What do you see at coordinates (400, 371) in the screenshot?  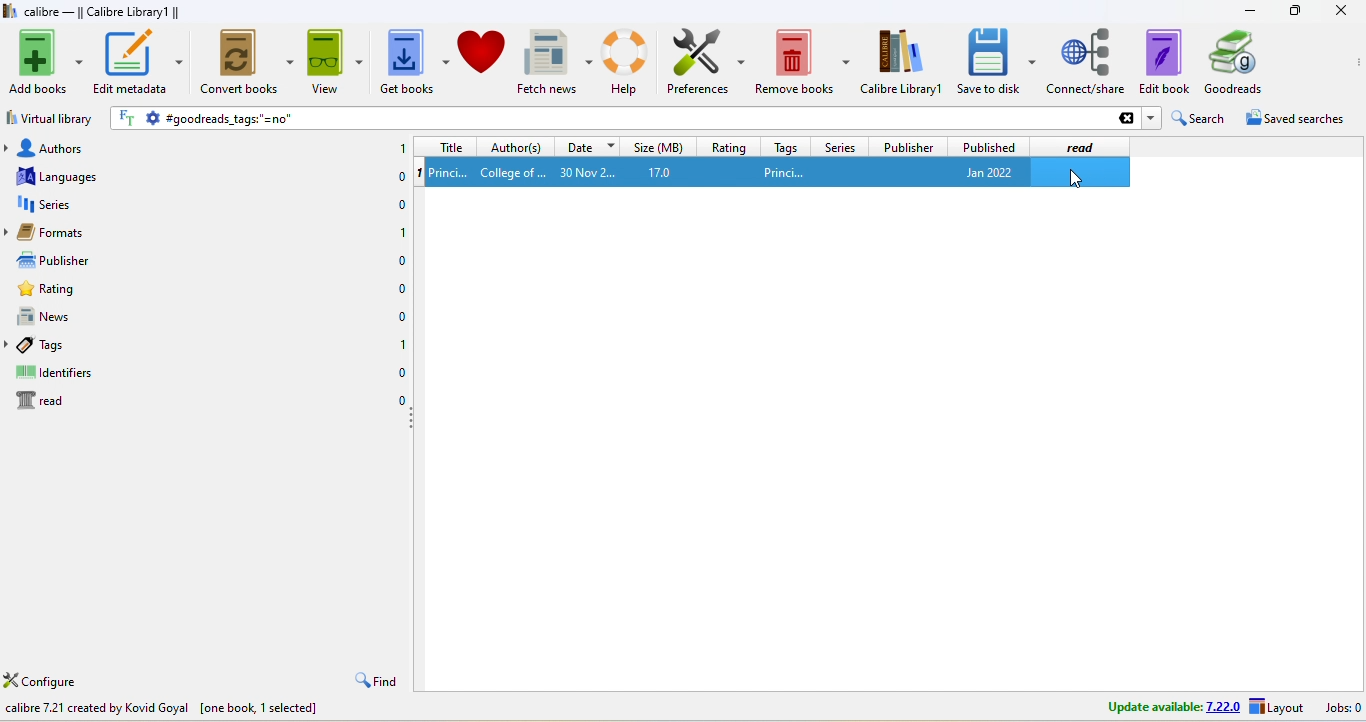 I see `0` at bounding box center [400, 371].